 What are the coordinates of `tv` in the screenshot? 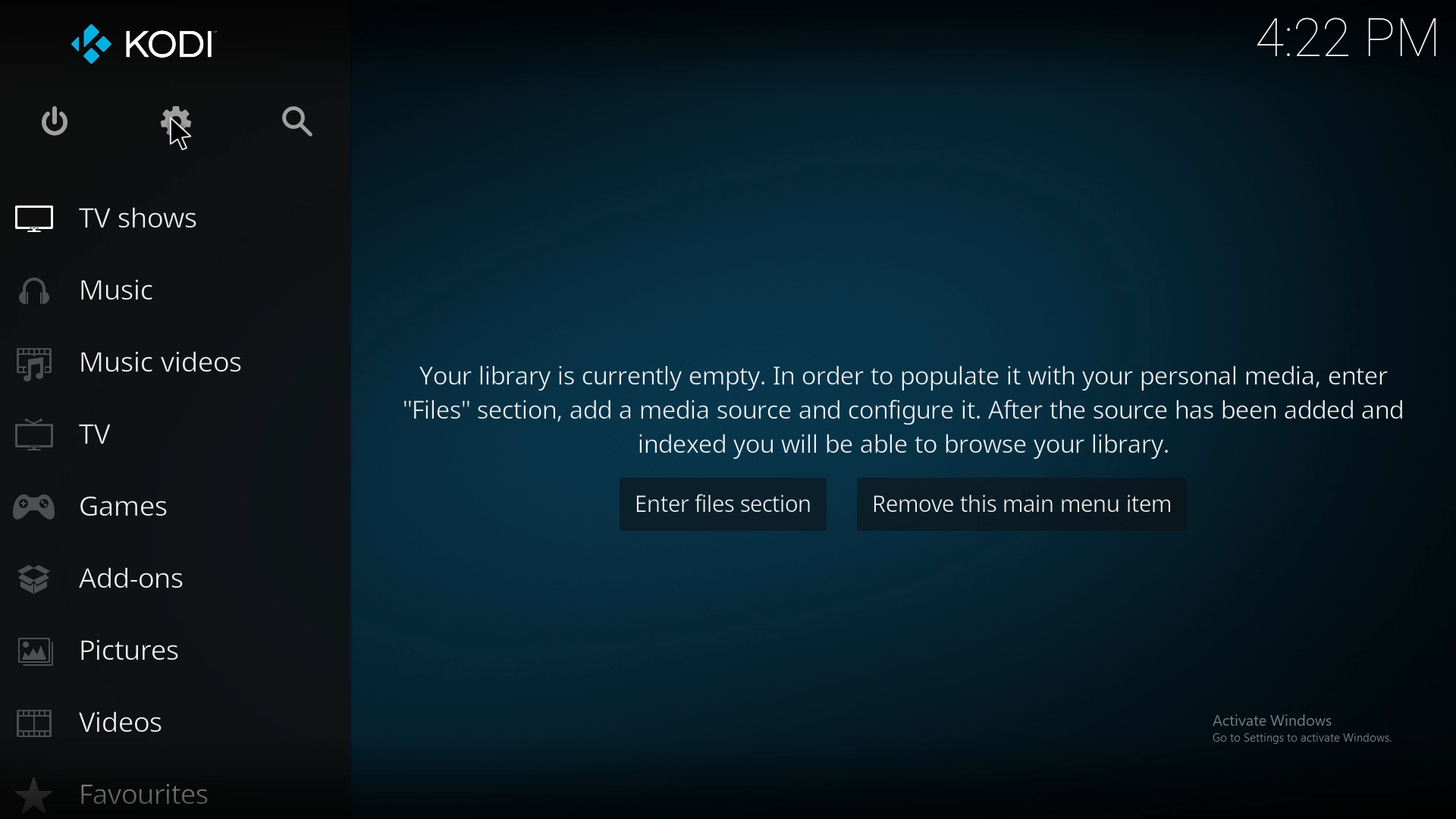 It's located at (135, 437).